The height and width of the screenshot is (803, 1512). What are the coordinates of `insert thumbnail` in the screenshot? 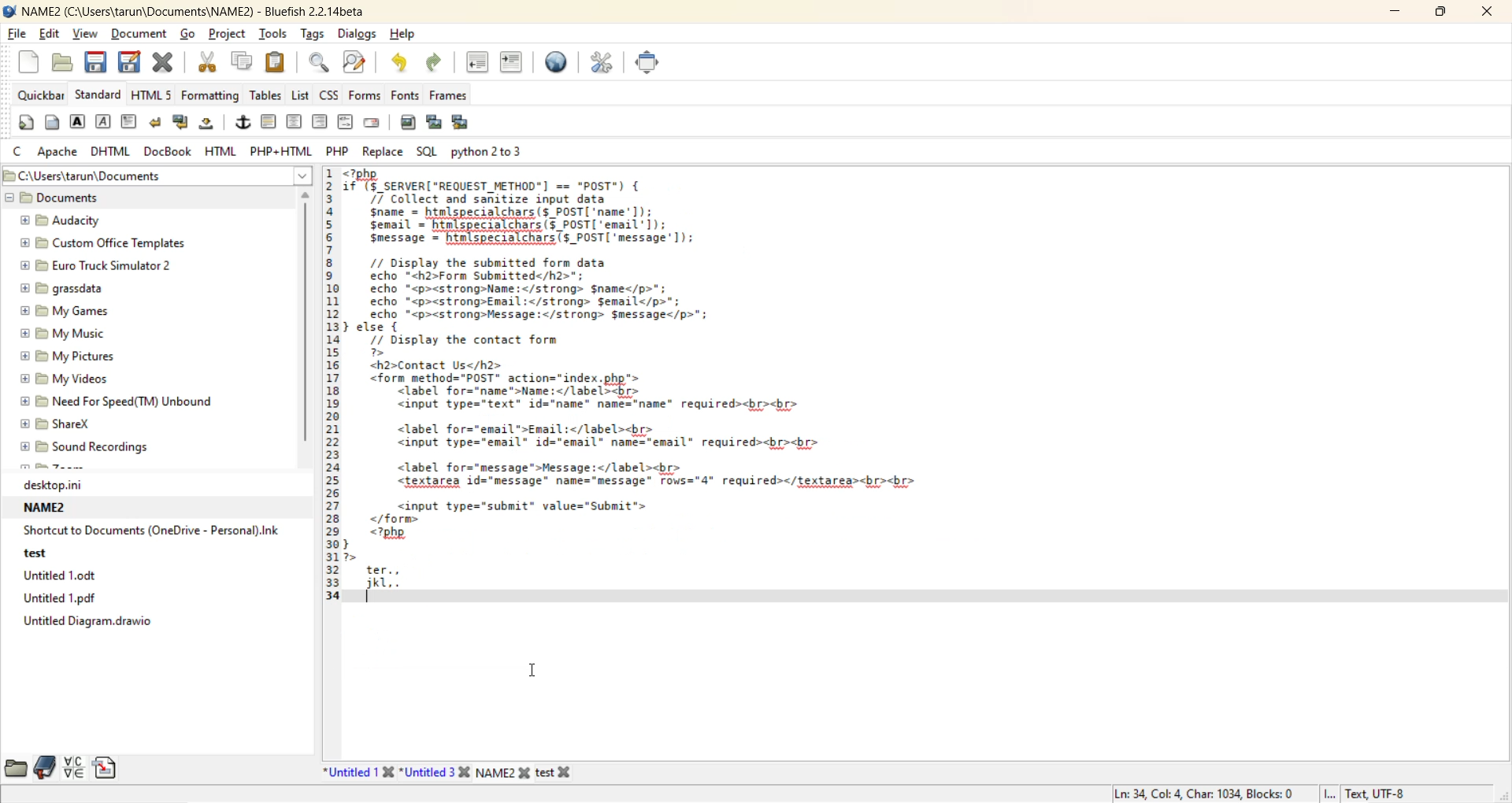 It's located at (437, 124).